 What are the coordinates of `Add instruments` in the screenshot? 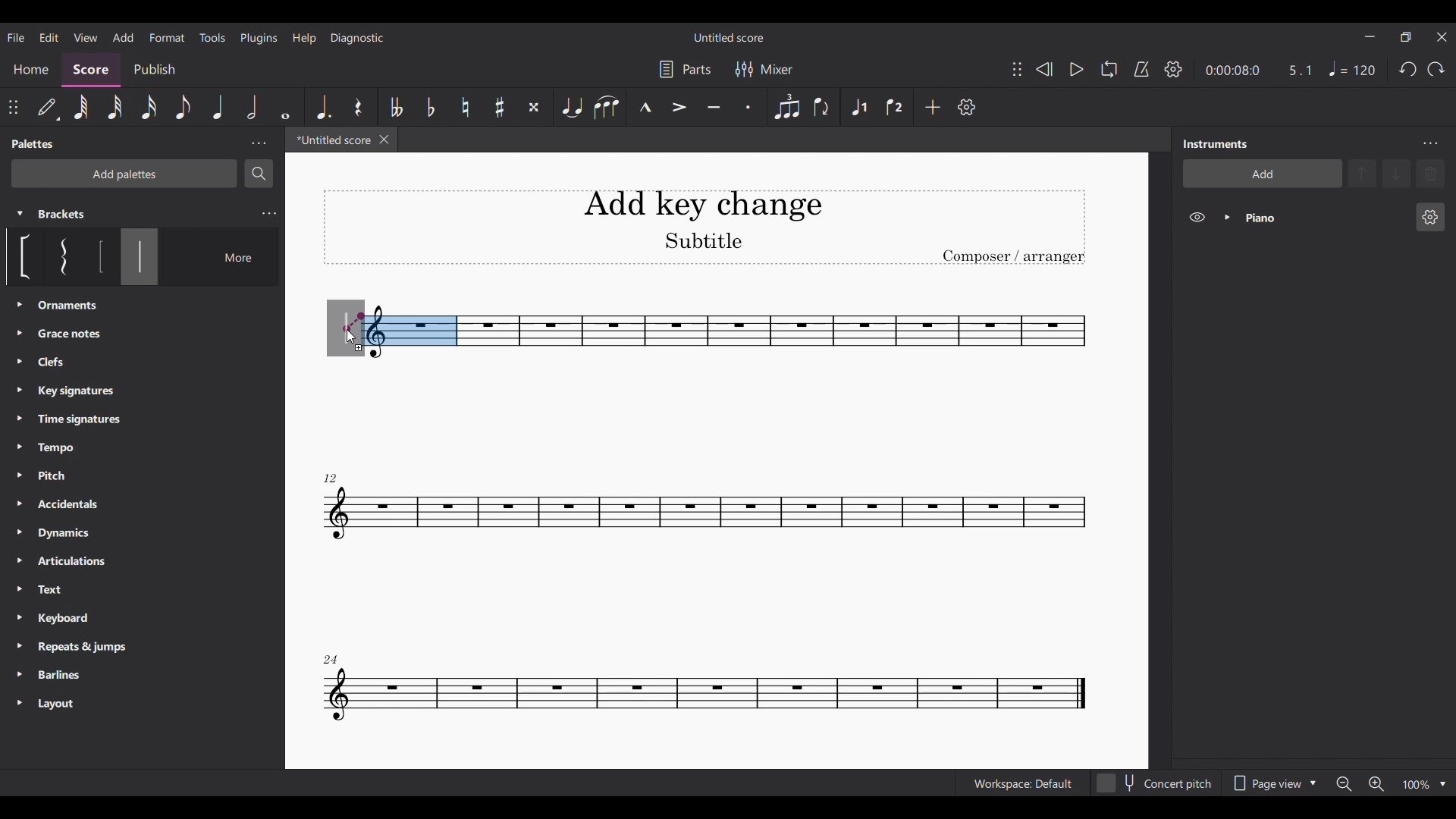 It's located at (1263, 173).